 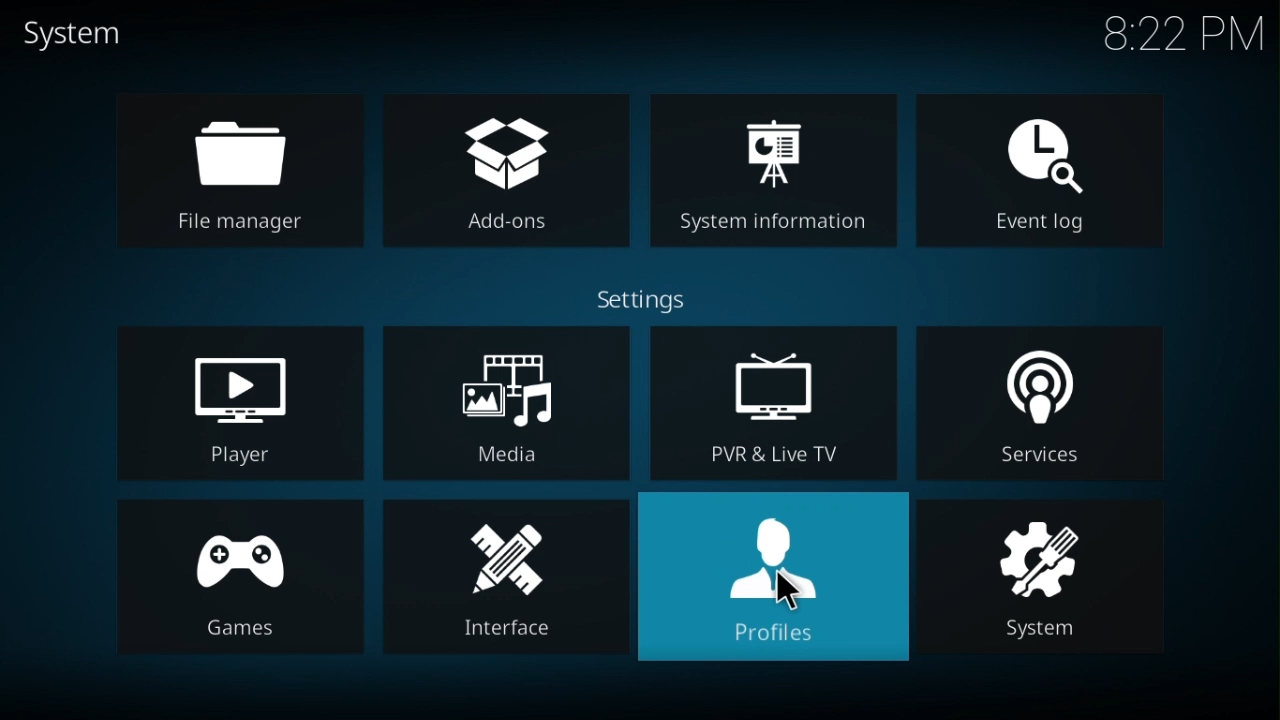 What do you see at coordinates (775, 577) in the screenshot?
I see `profiles` at bounding box center [775, 577].